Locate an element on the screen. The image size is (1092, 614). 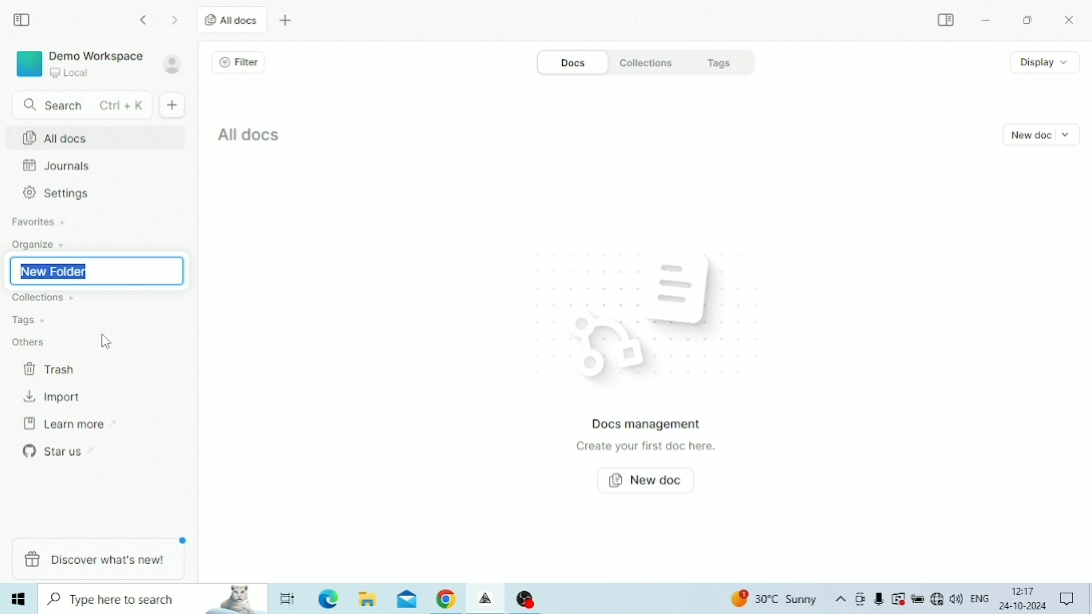
Tags is located at coordinates (28, 322).